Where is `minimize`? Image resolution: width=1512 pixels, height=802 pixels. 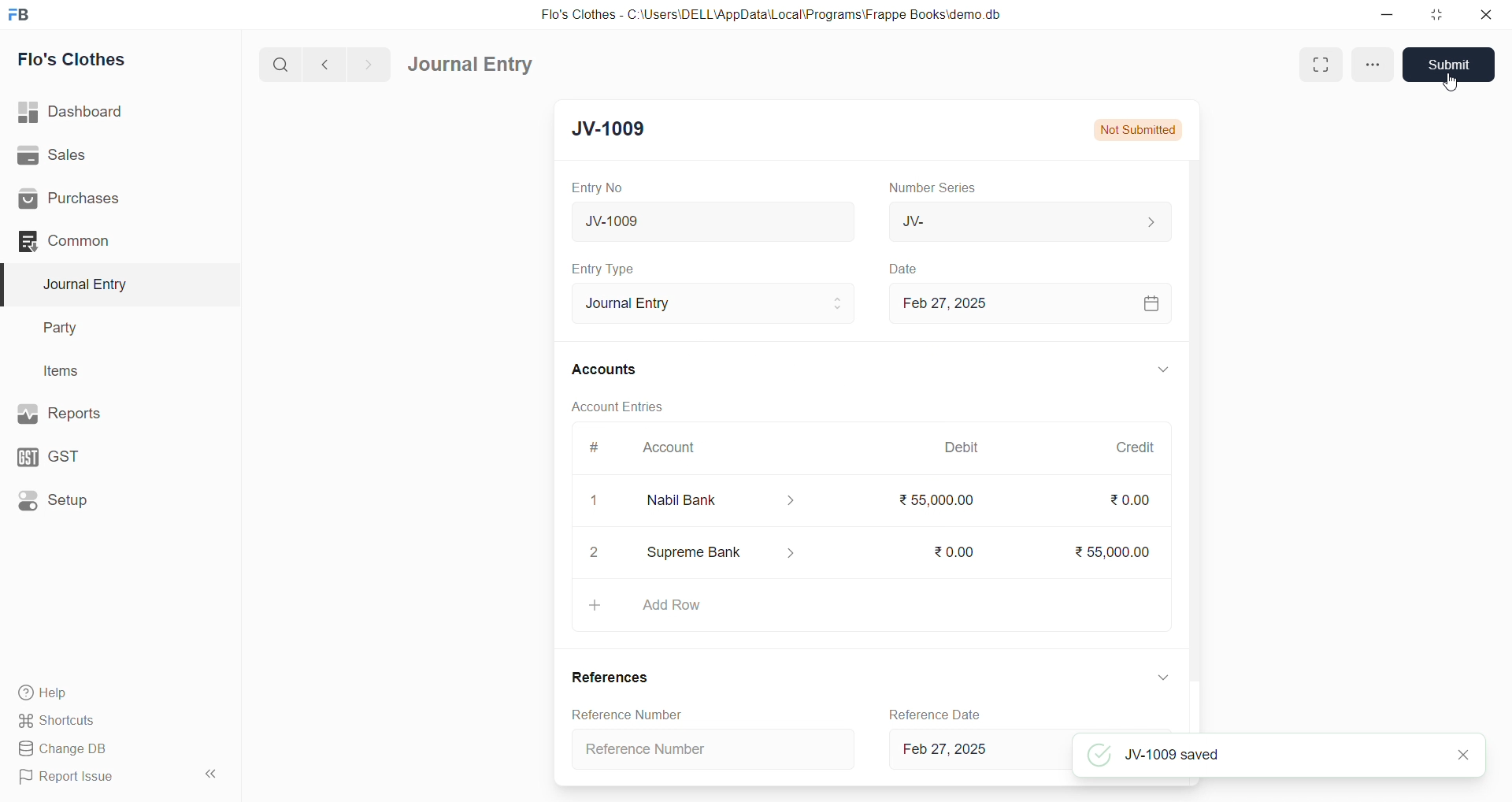
minimize is located at coordinates (1384, 13).